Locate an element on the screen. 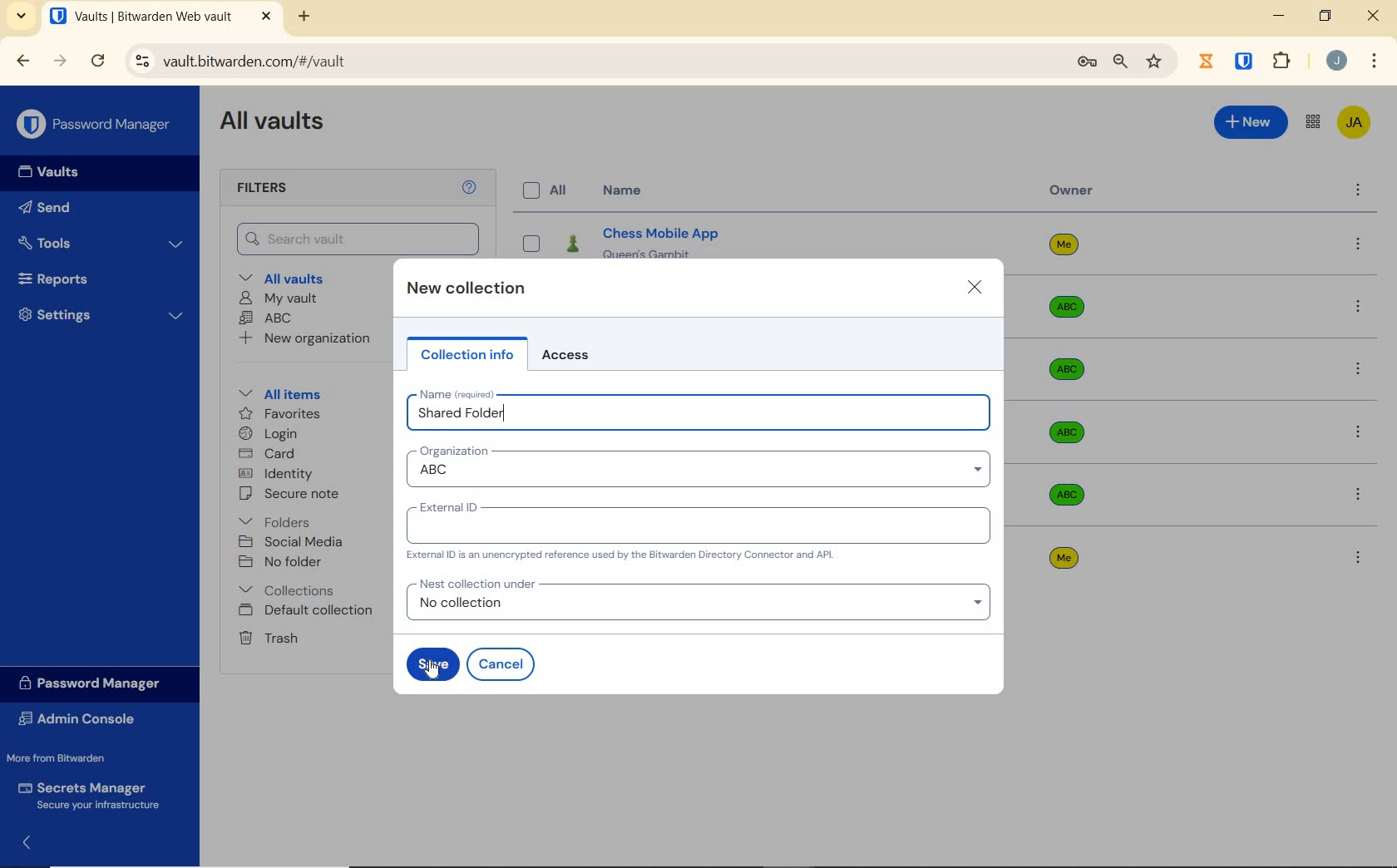 This screenshot has width=1397, height=868. more options is located at coordinates (1357, 434).